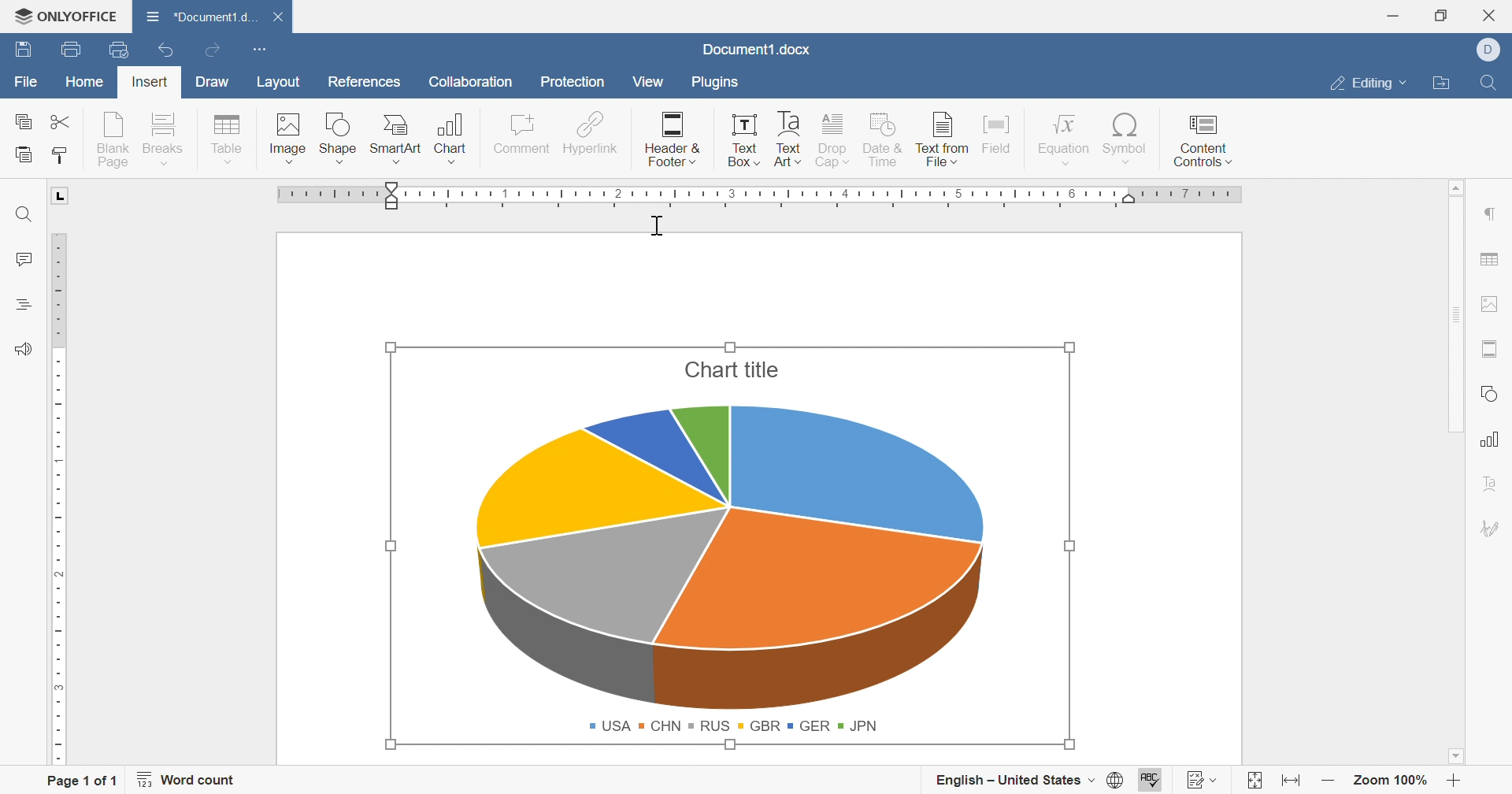 This screenshot has width=1512, height=794. What do you see at coordinates (1062, 139) in the screenshot?
I see `Equation` at bounding box center [1062, 139].